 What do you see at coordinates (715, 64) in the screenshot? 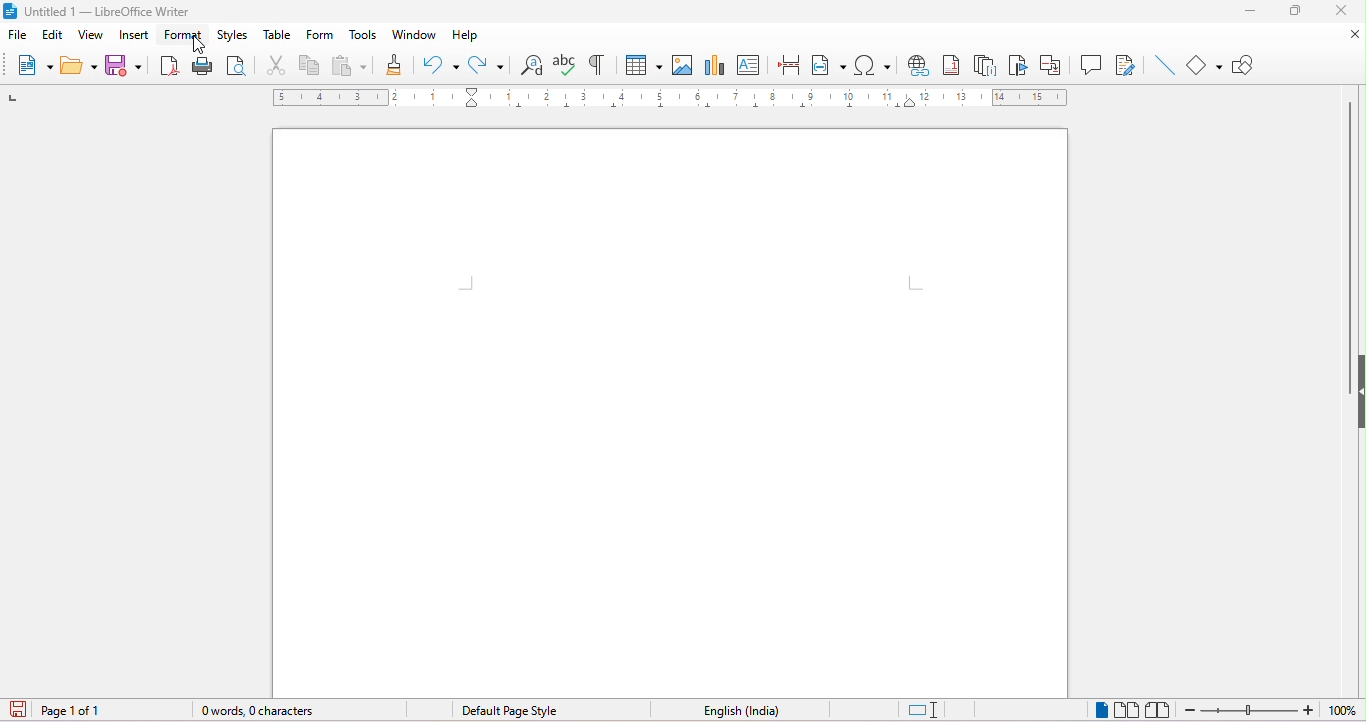
I see `chart` at bounding box center [715, 64].